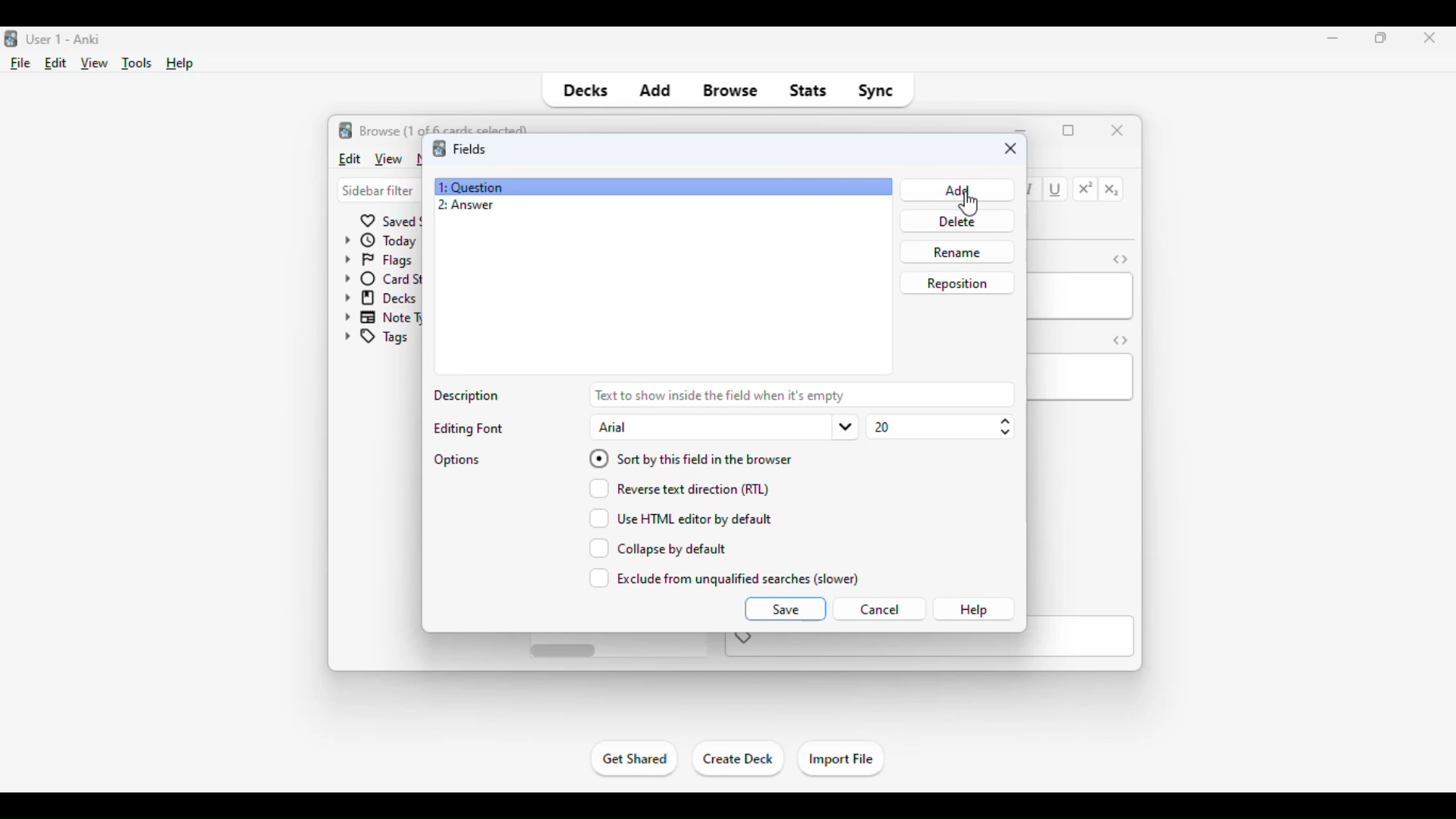  I want to click on exclude from unqualified searches (slower), so click(725, 578).